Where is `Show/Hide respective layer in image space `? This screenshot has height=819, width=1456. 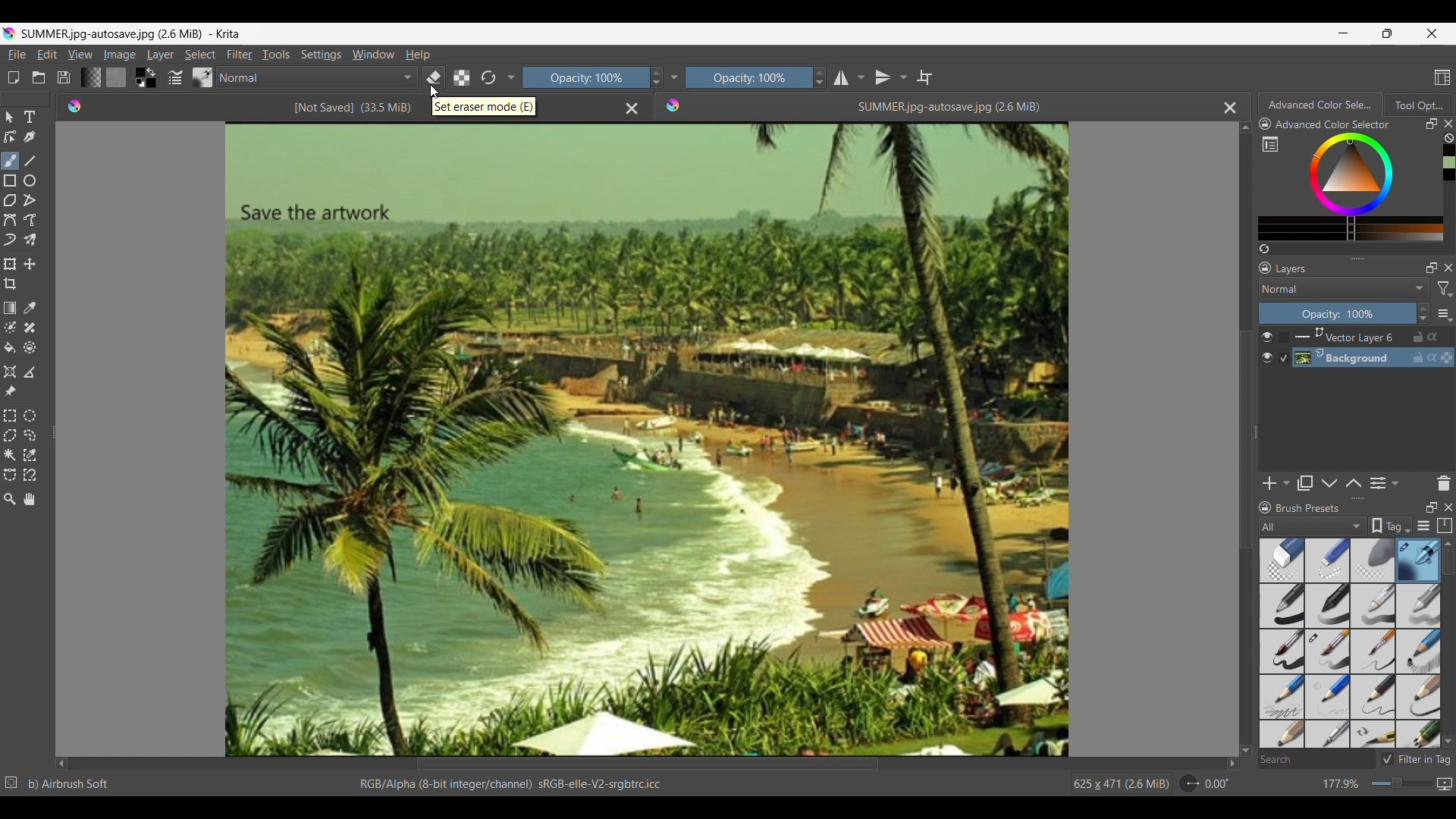 Show/Hide respective layer in image space  is located at coordinates (1266, 347).